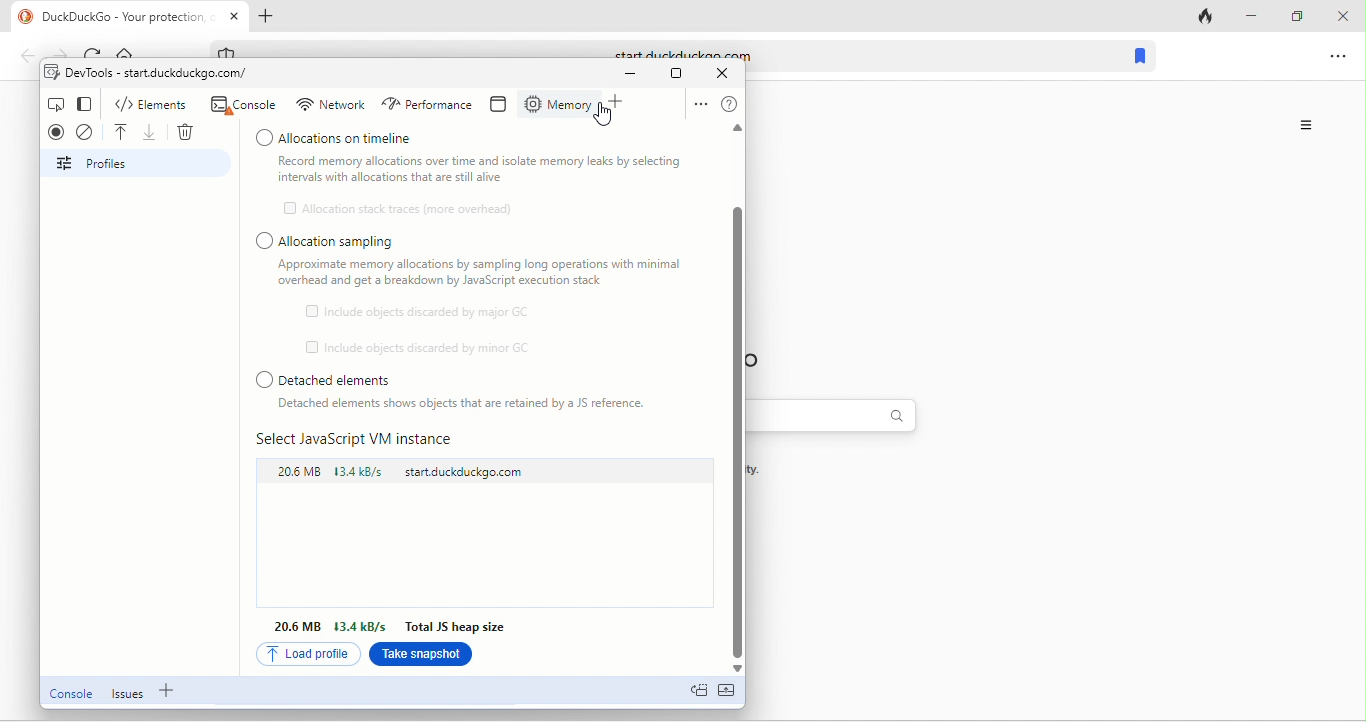  What do you see at coordinates (1340, 62) in the screenshot?
I see `option` at bounding box center [1340, 62].